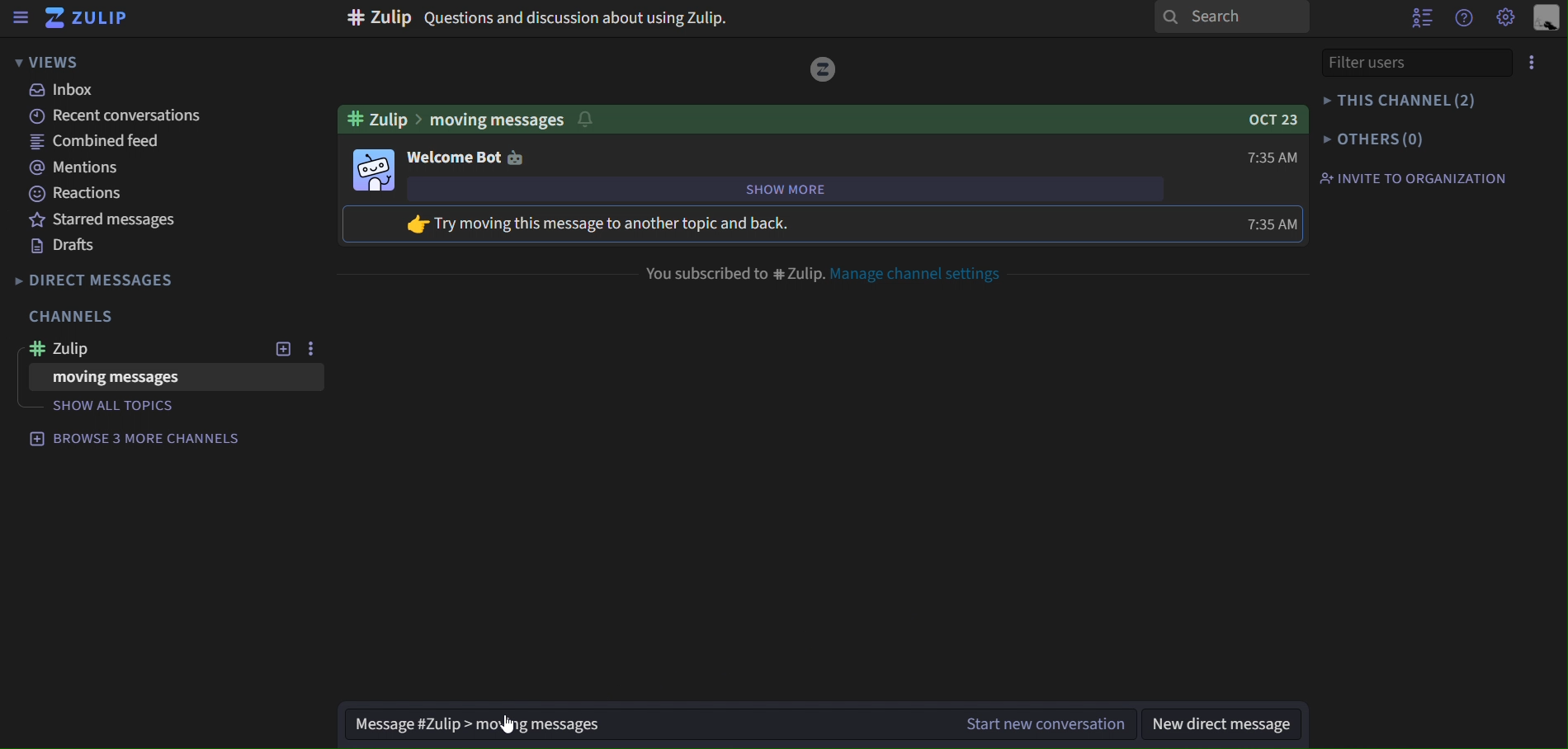 The width and height of the screenshot is (1568, 749). I want to click on # Zulip > moving messages, so click(472, 116).